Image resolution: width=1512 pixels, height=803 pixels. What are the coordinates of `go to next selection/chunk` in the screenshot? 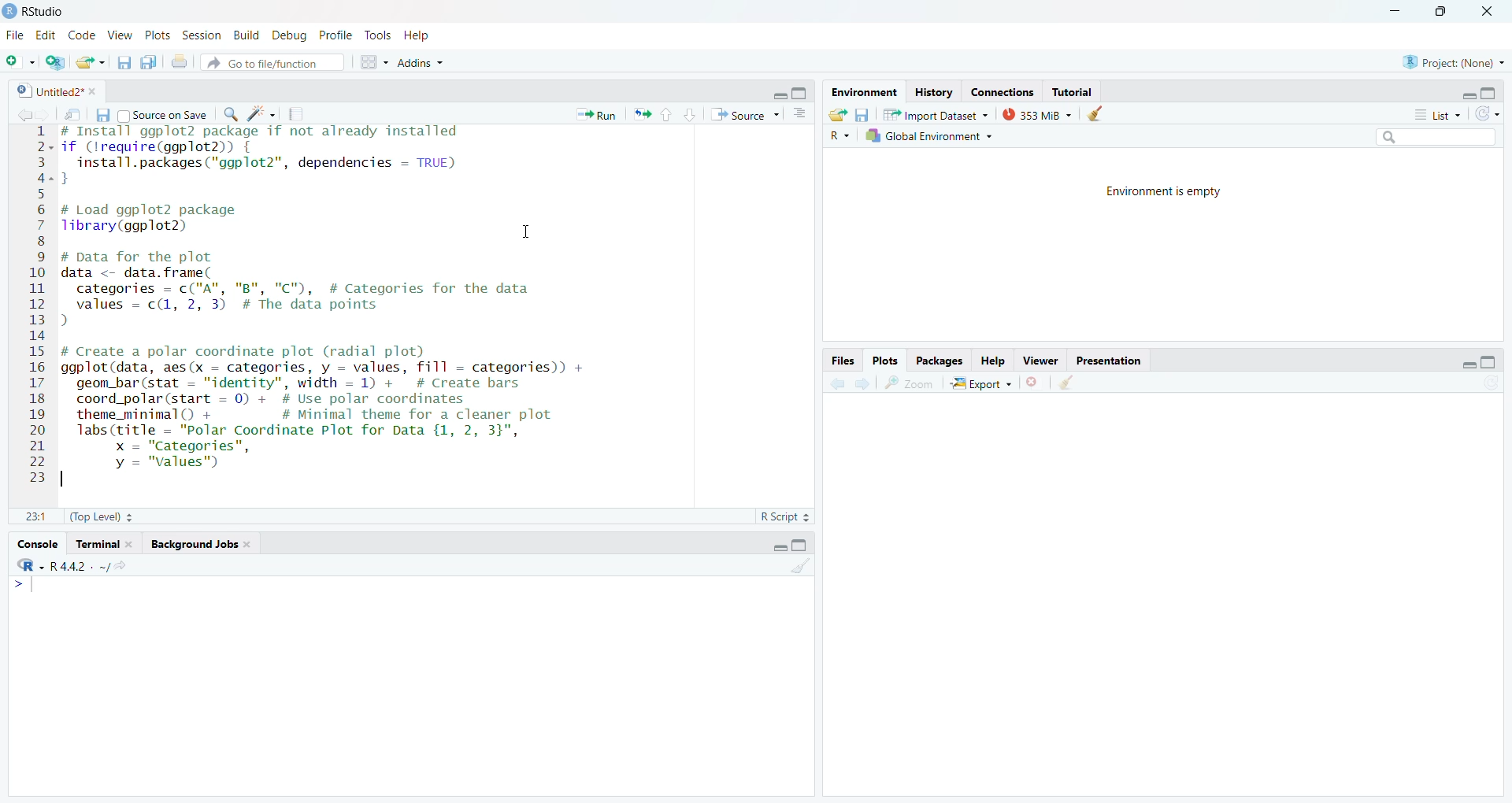 It's located at (688, 115).